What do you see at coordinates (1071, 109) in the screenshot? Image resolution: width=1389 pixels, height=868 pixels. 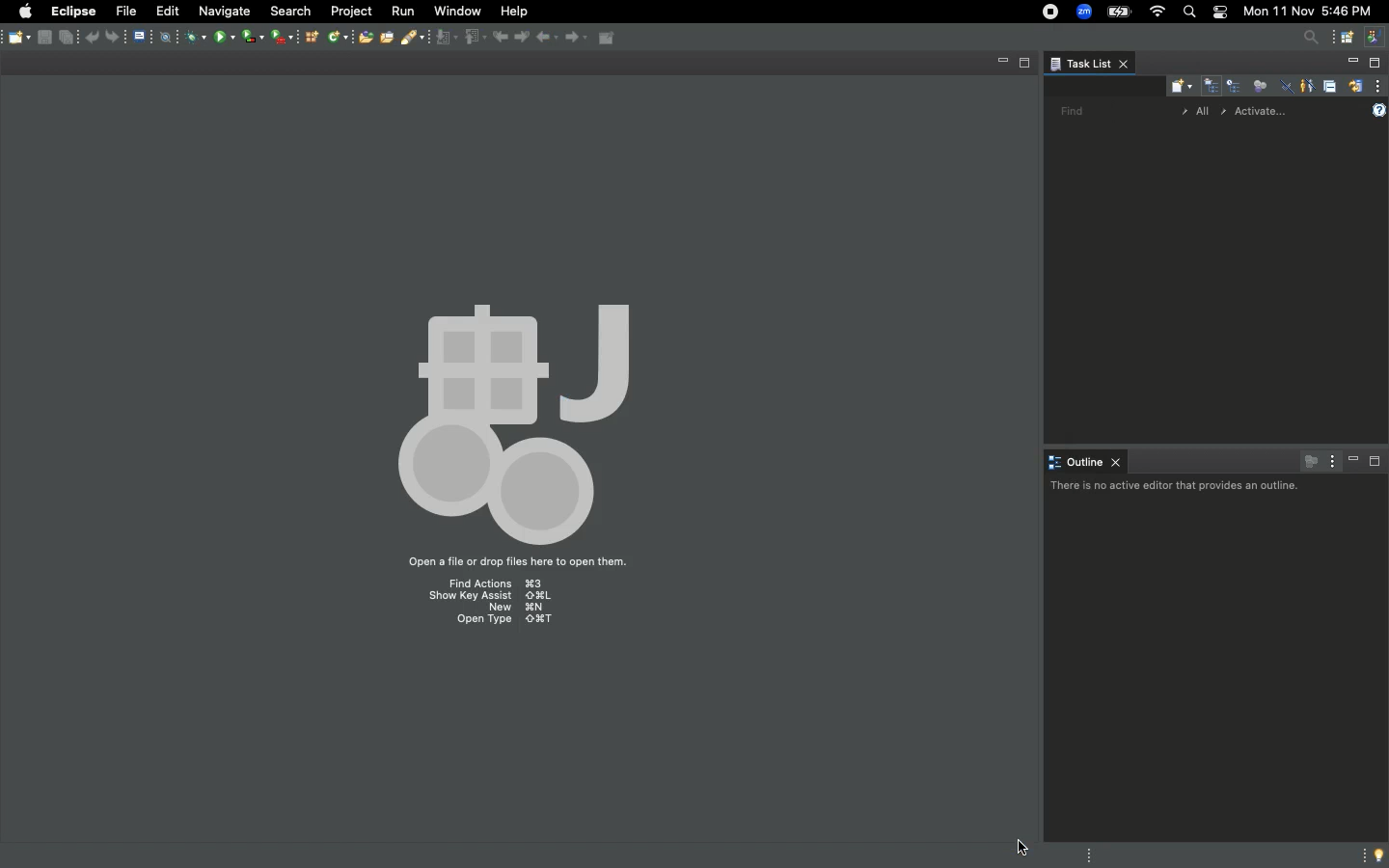 I see `Find` at bounding box center [1071, 109].